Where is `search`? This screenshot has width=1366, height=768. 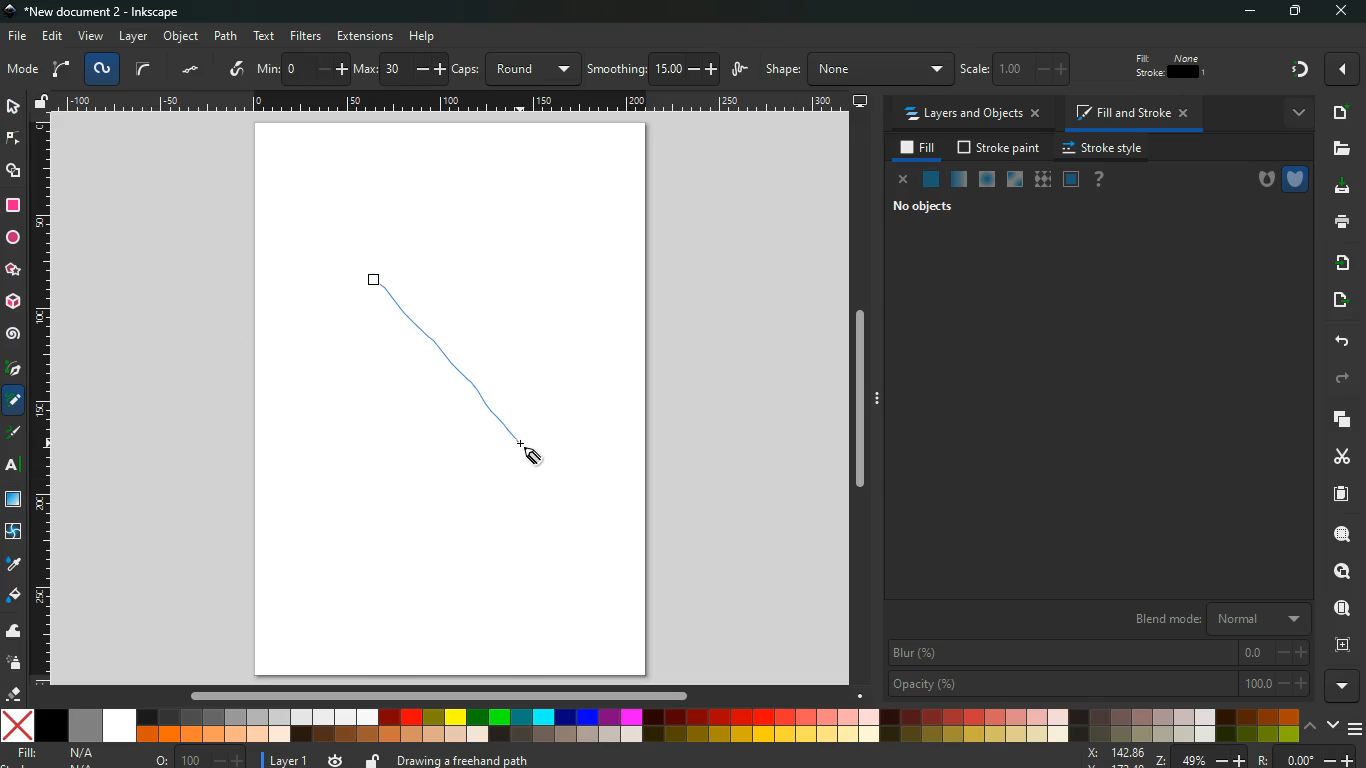 search is located at coordinates (1339, 532).